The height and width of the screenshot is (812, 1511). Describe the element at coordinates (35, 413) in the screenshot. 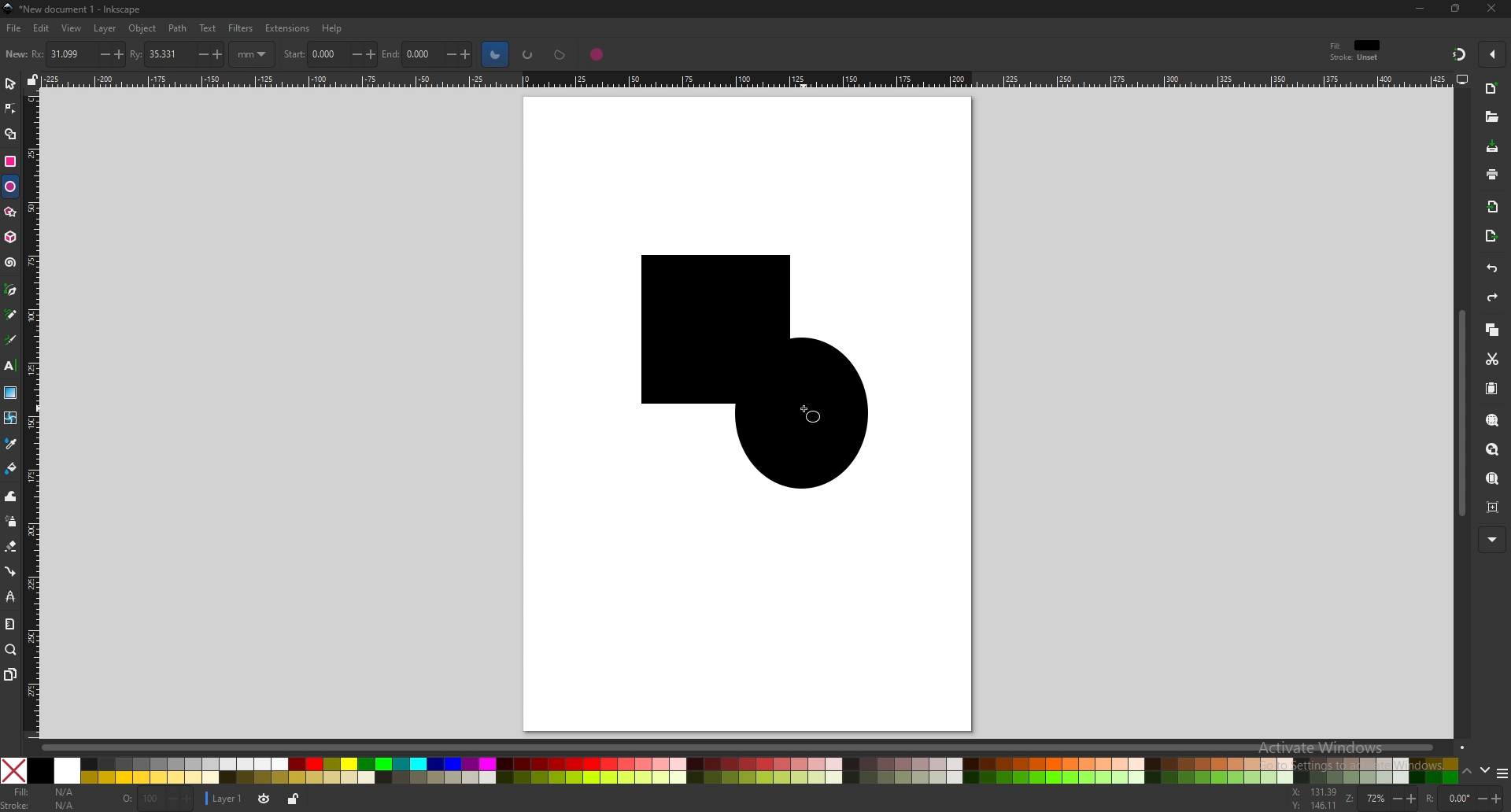

I see `vertical ruler` at that location.